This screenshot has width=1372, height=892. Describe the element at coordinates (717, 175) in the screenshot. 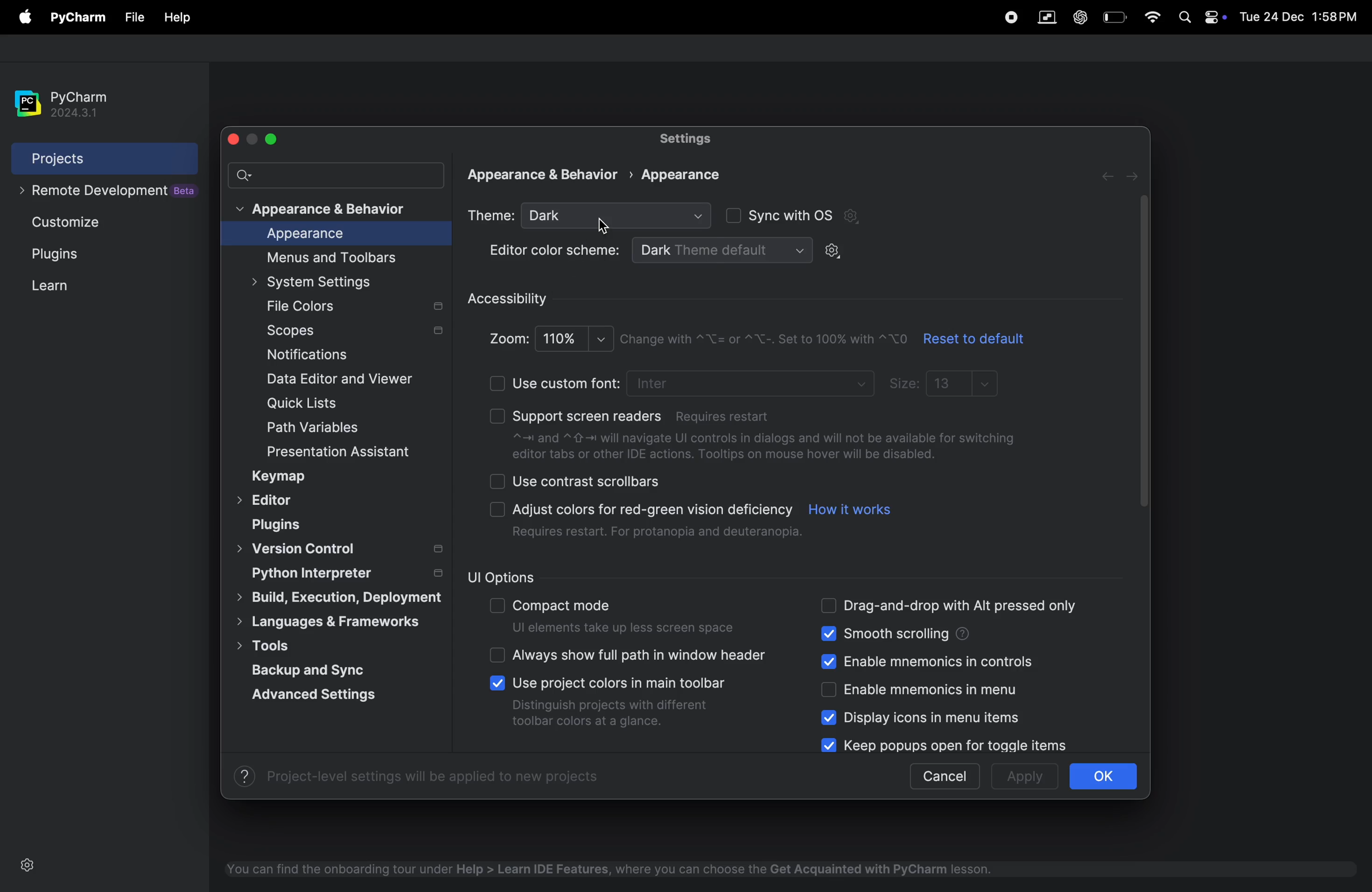

I see `appearance` at that location.